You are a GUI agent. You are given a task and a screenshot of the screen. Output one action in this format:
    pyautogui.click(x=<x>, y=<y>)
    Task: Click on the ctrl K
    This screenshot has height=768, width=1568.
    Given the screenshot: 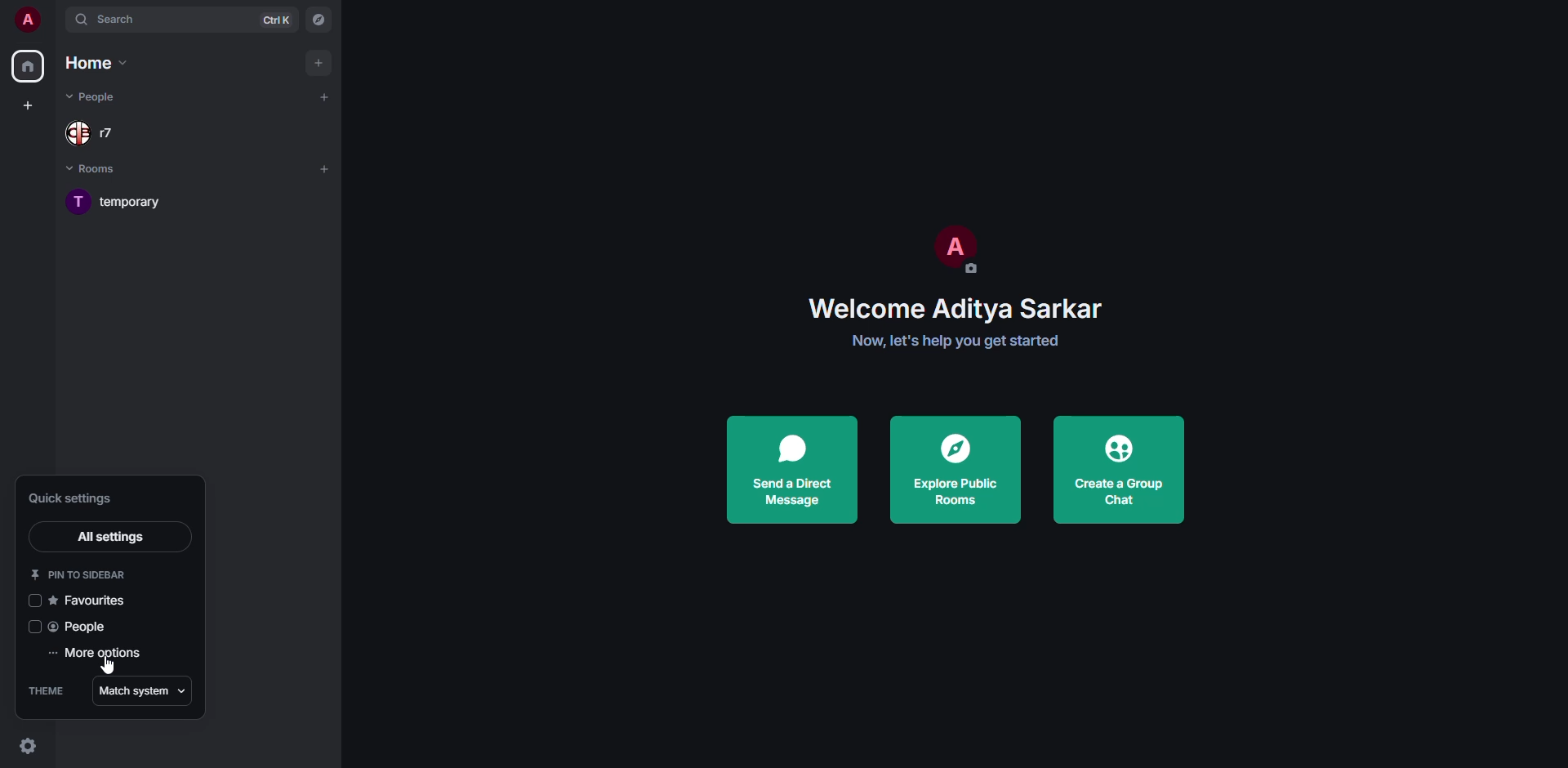 What is the action you would take?
    pyautogui.click(x=277, y=19)
    